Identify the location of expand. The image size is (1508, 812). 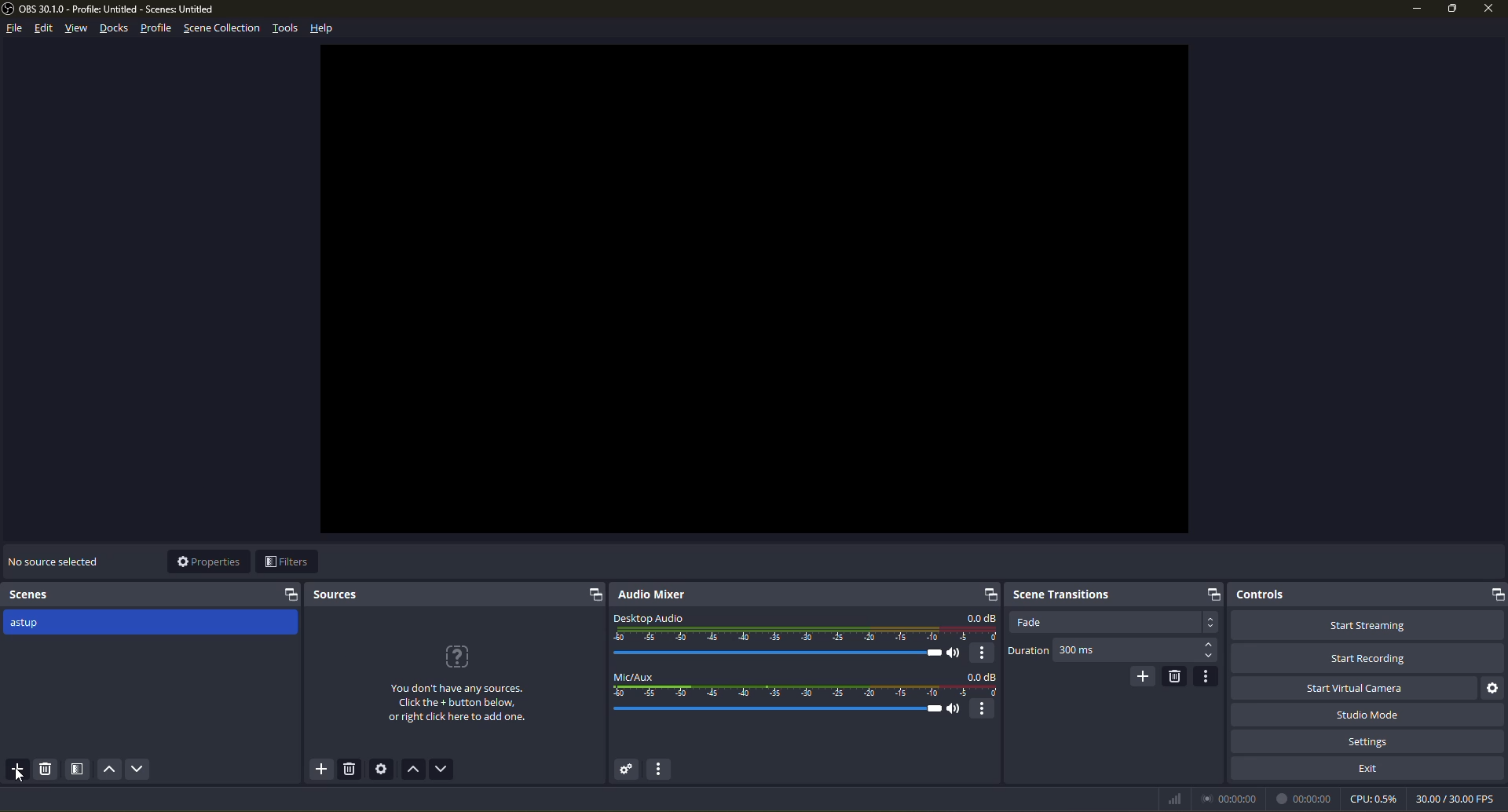
(291, 595).